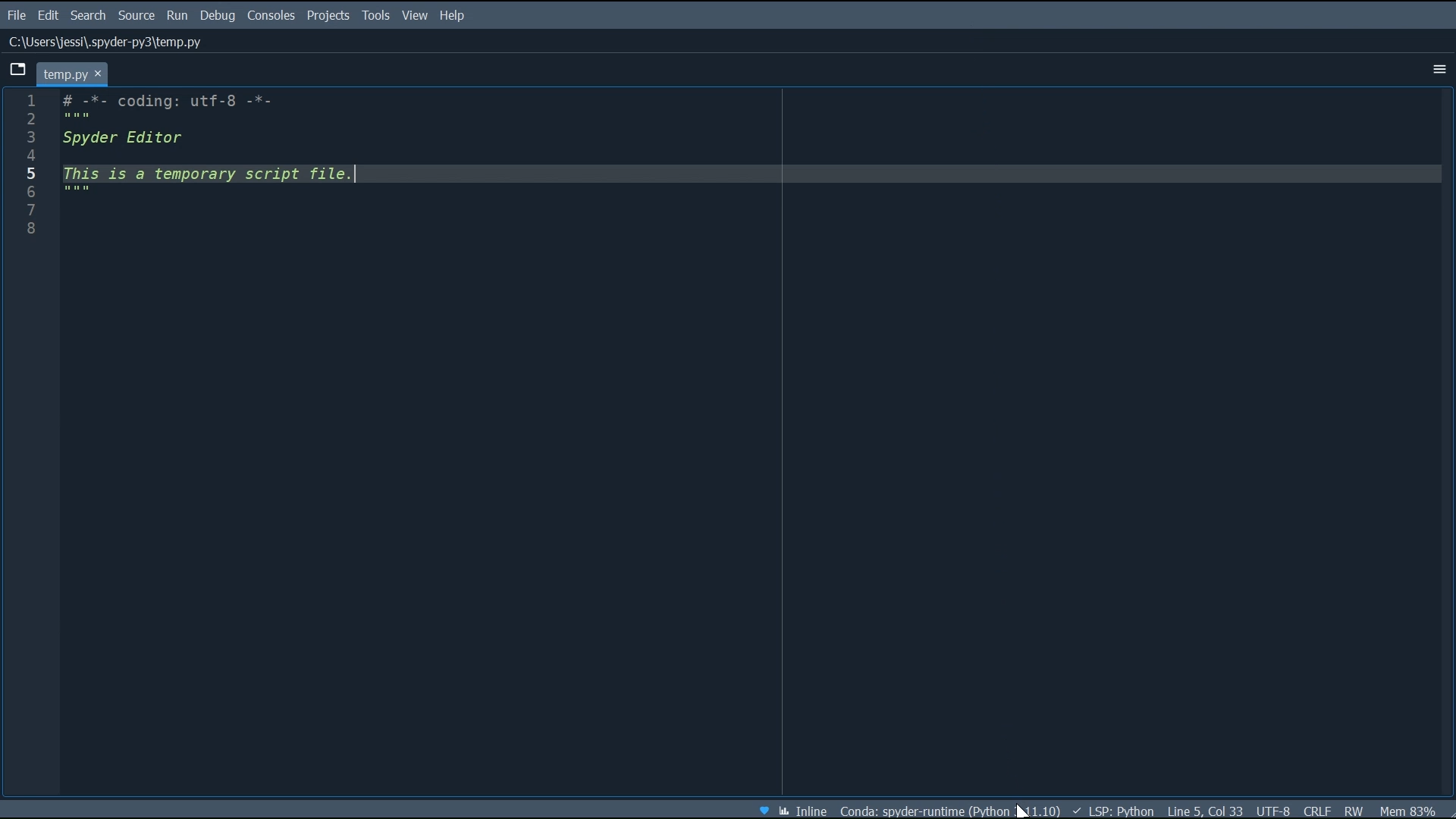 The image size is (1456, 819). I want to click on Search, so click(89, 15).